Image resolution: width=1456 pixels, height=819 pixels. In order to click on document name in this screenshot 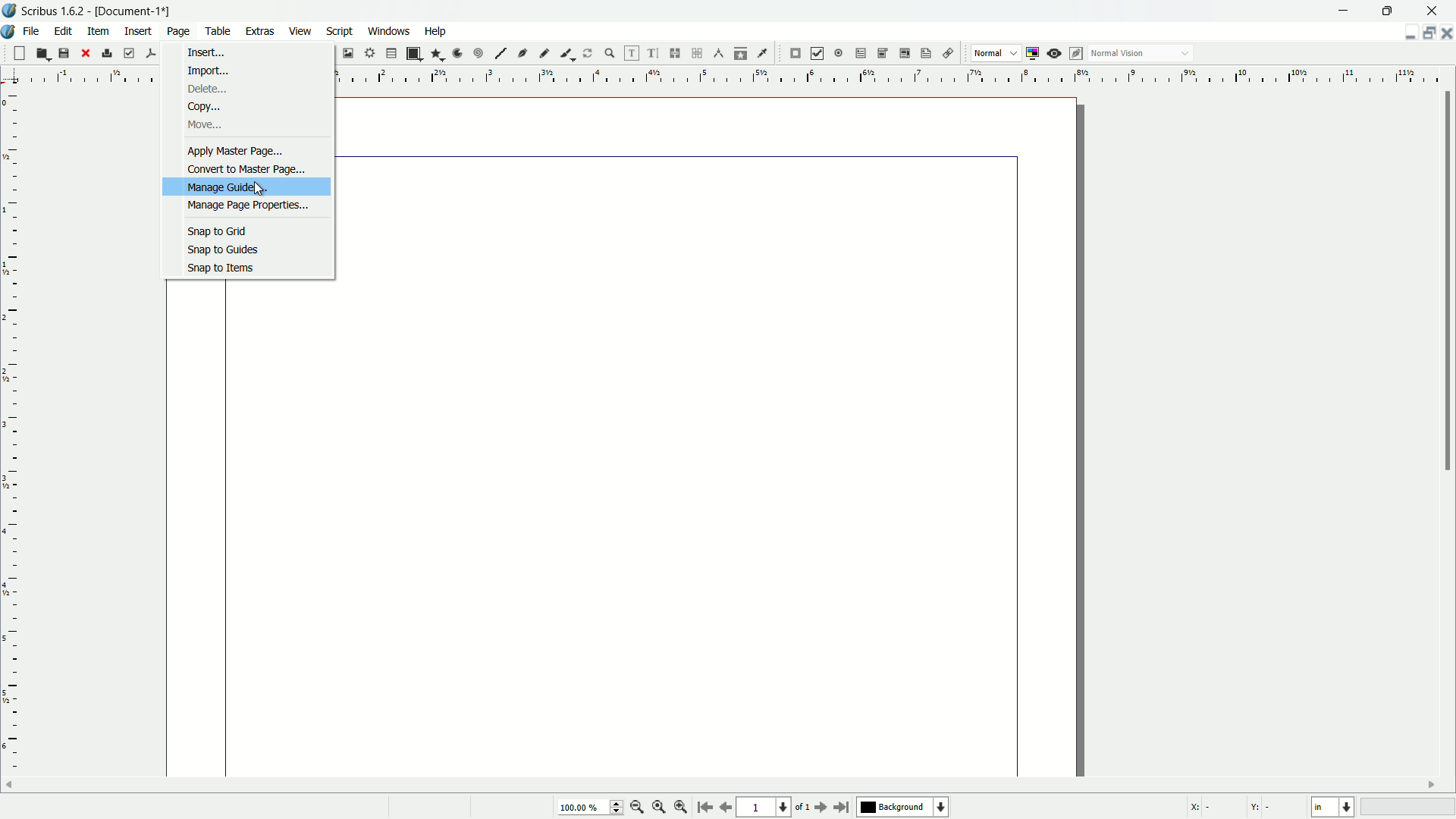, I will do `click(136, 11)`.